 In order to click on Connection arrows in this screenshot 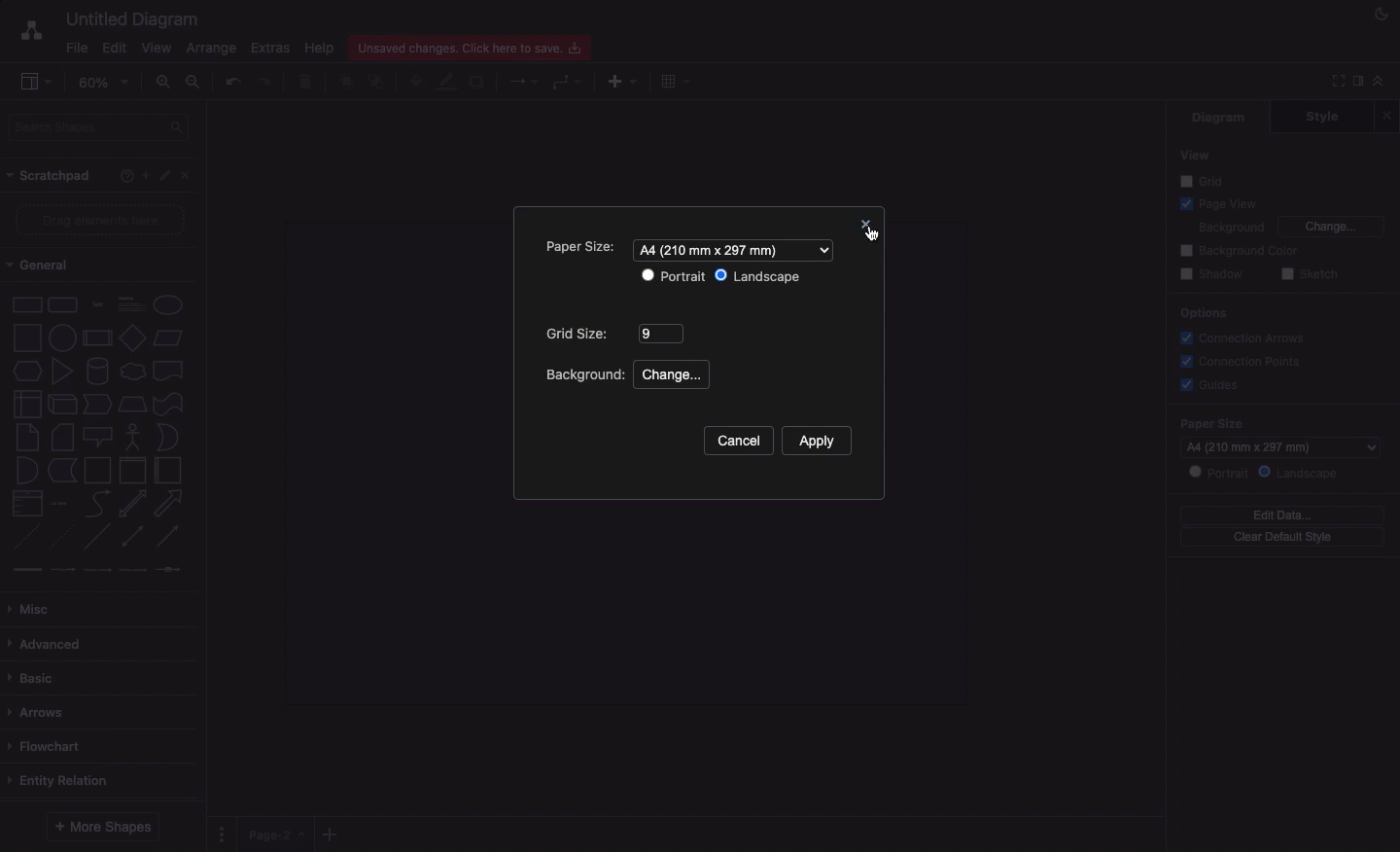, I will do `click(1247, 337)`.